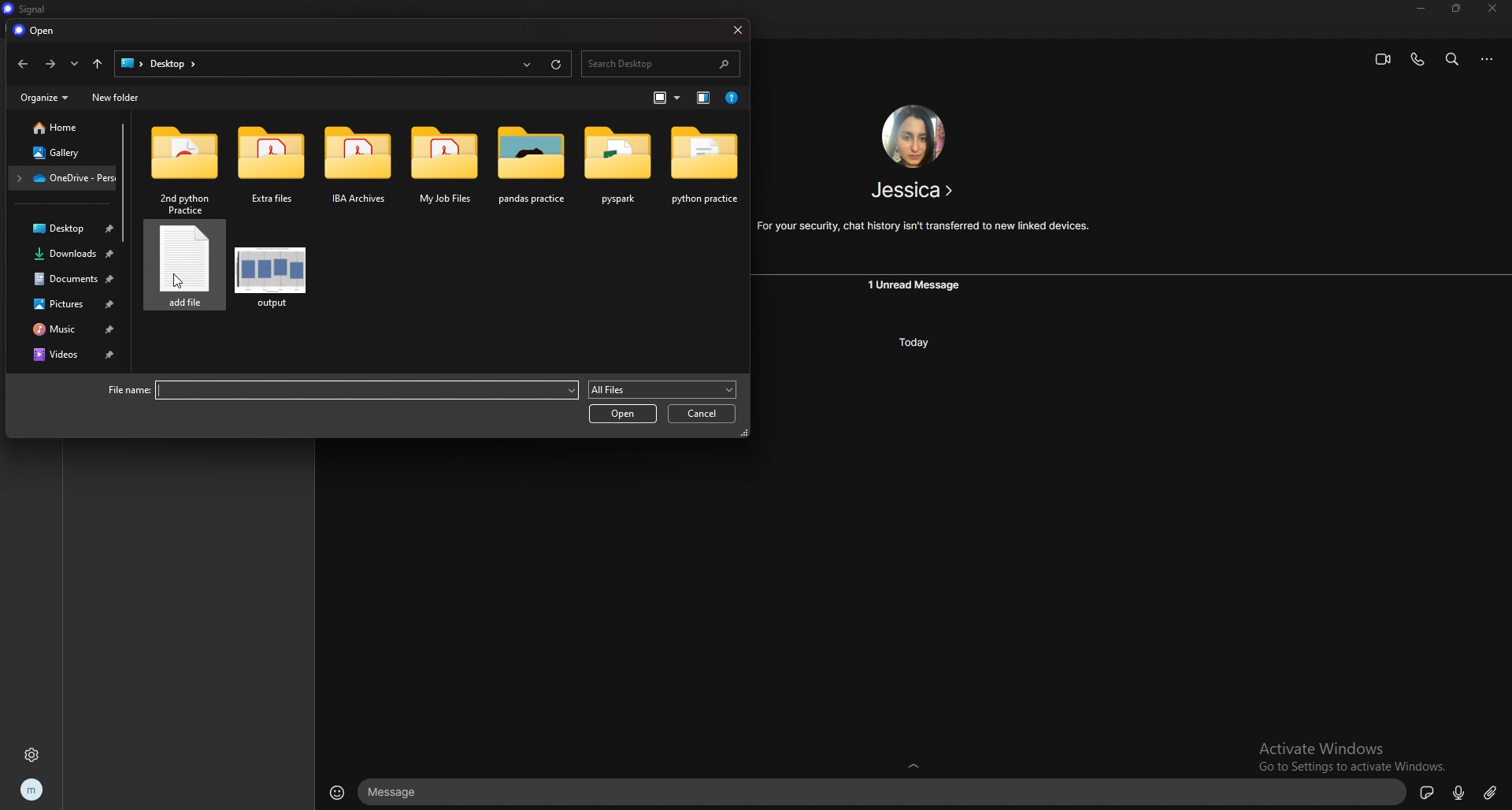 The image size is (1512, 810). I want to click on home, so click(55, 127).